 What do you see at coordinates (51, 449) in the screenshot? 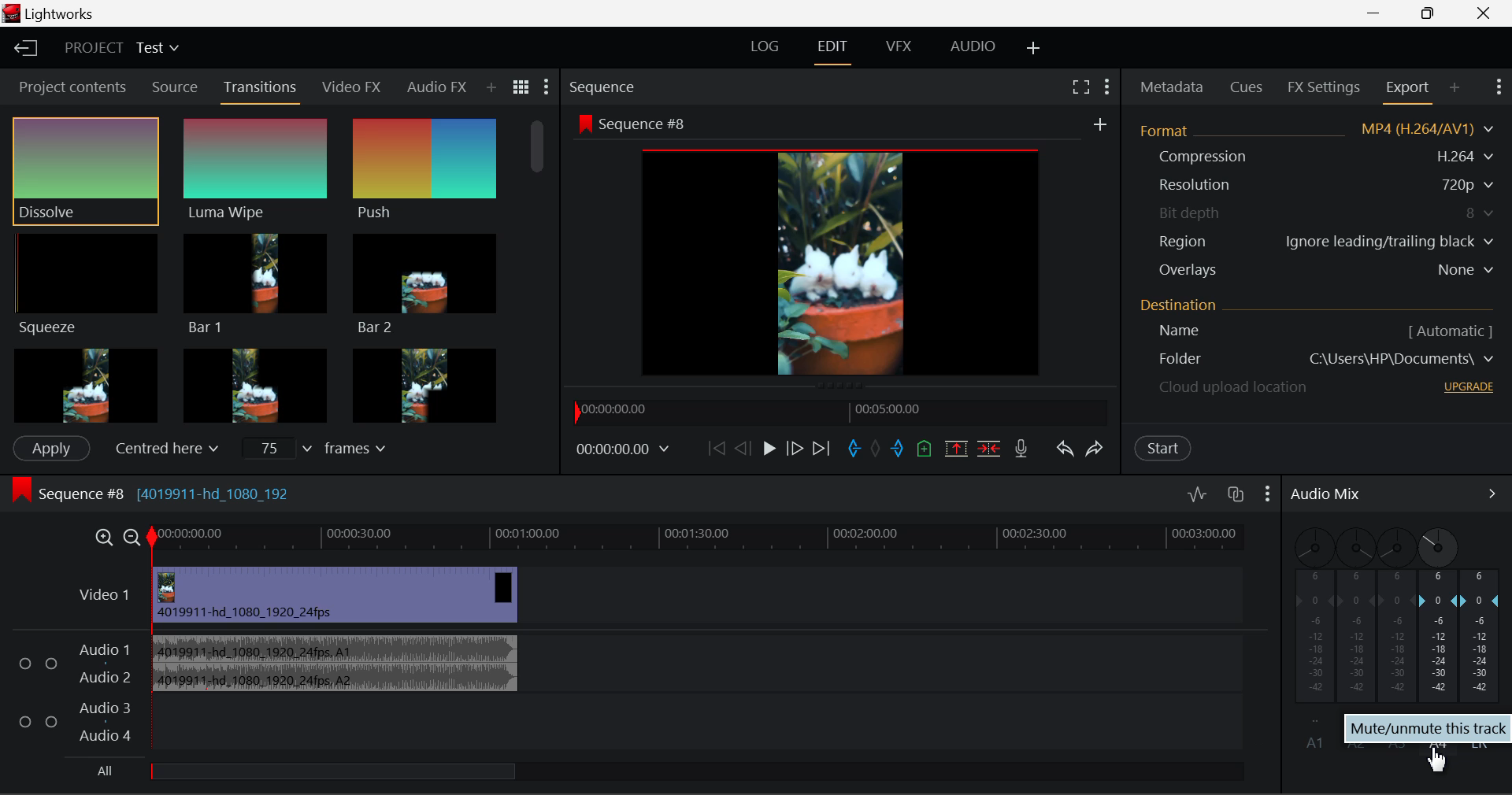
I see `Apply` at bounding box center [51, 449].